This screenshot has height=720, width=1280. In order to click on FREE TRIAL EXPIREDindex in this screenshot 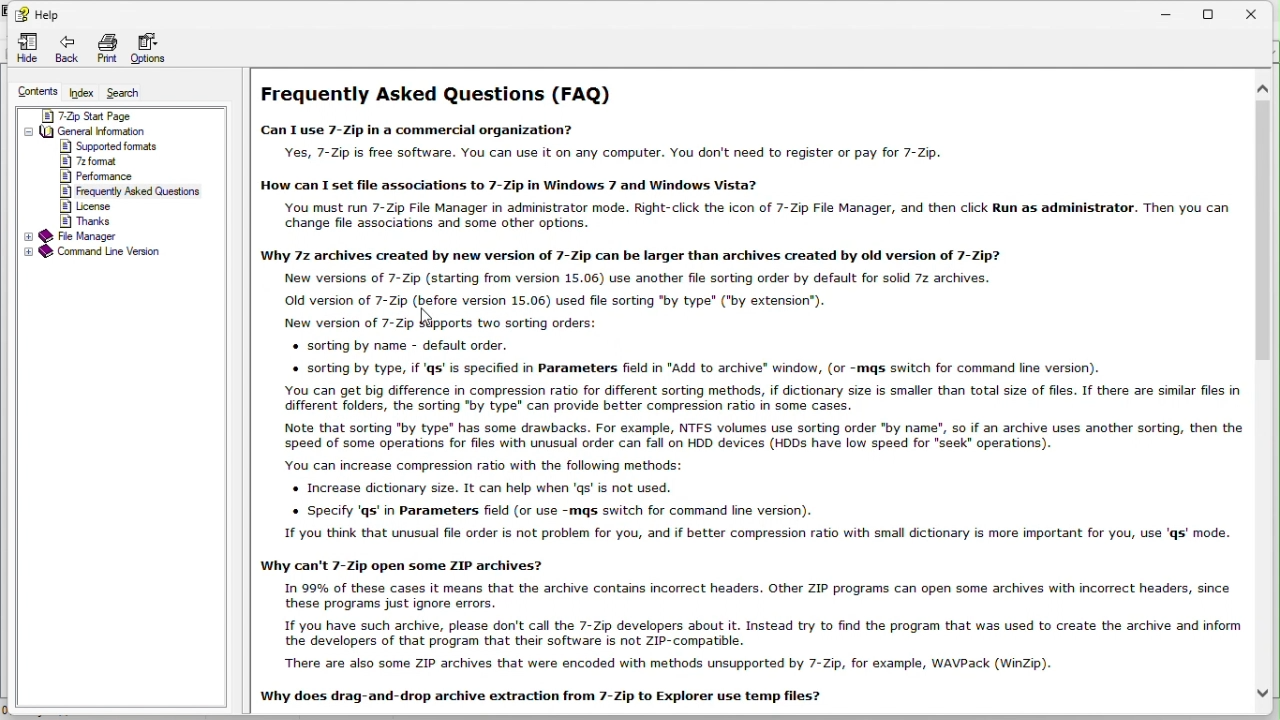, I will do `click(83, 93)`.